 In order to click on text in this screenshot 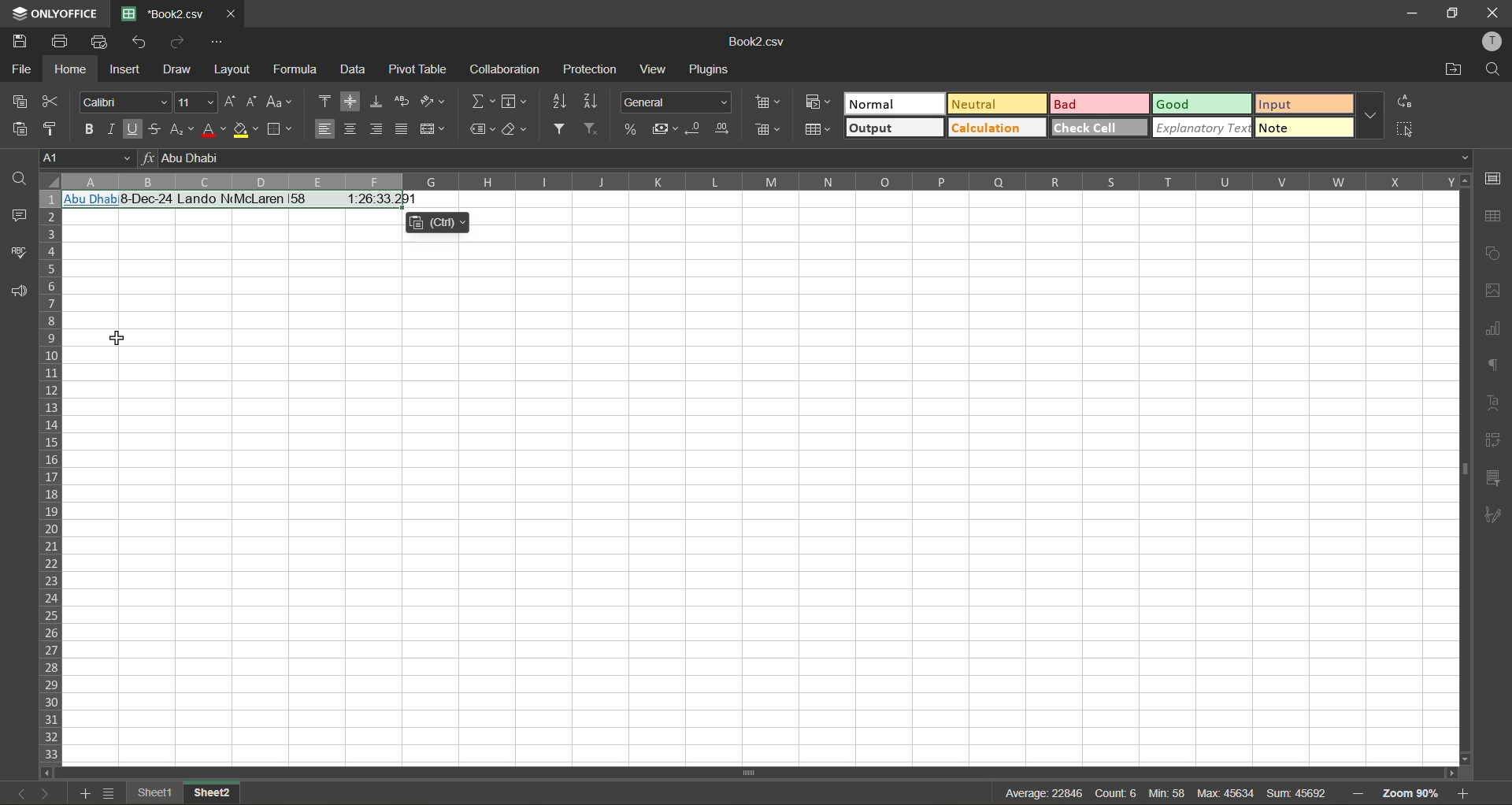, I will do `click(1494, 403)`.